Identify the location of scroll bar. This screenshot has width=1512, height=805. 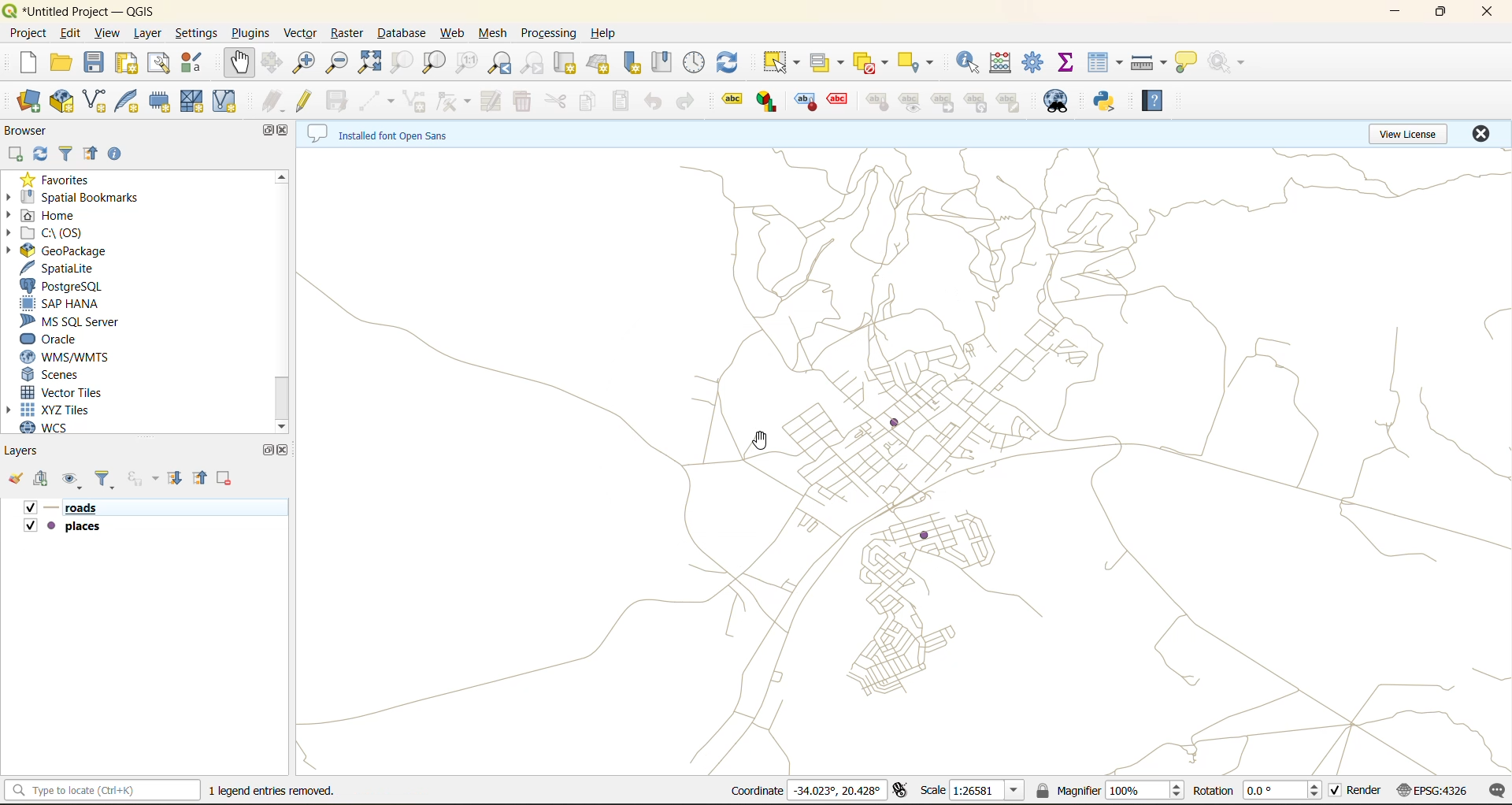
(286, 301).